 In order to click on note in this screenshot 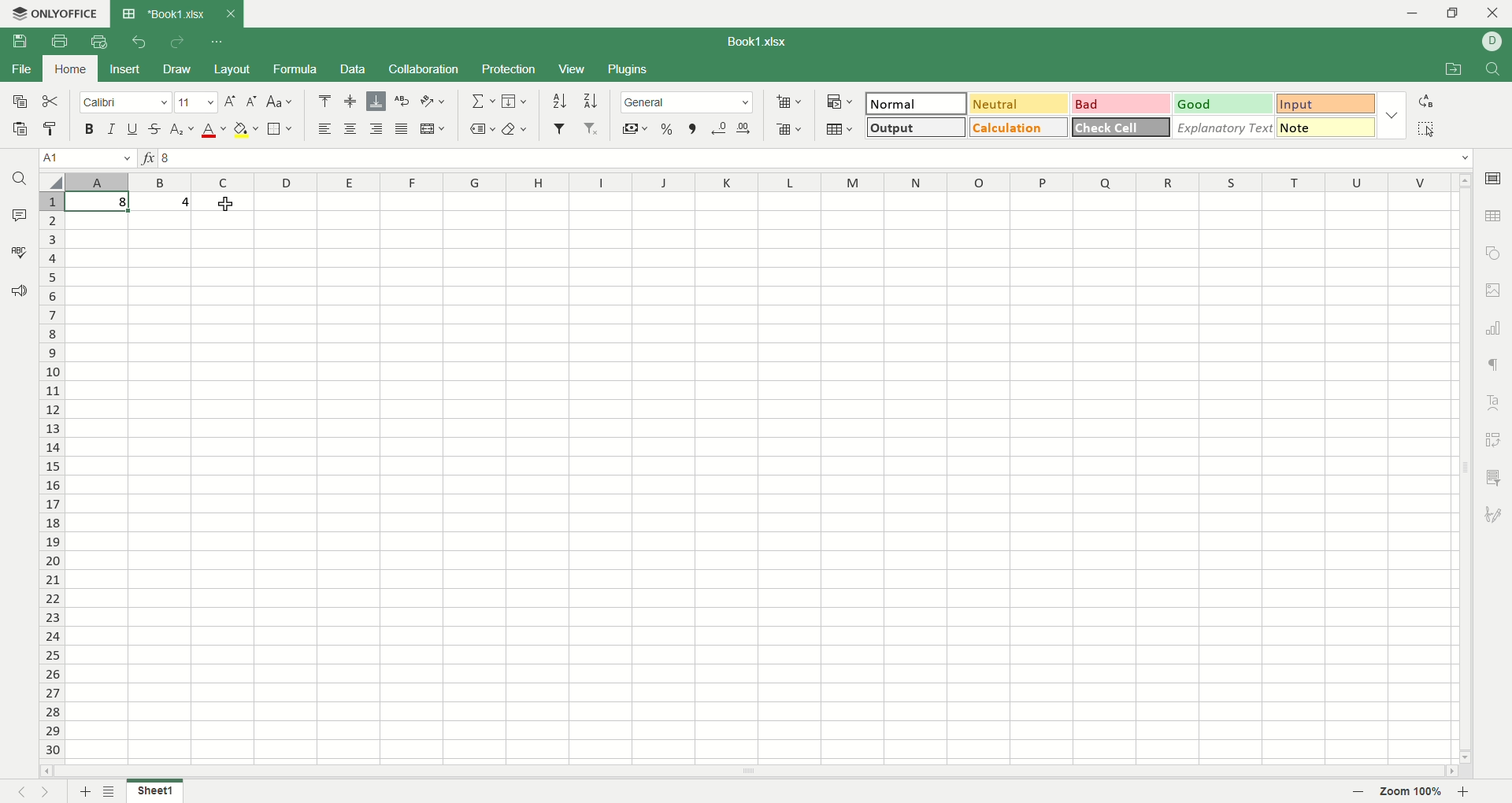, I will do `click(1326, 127)`.